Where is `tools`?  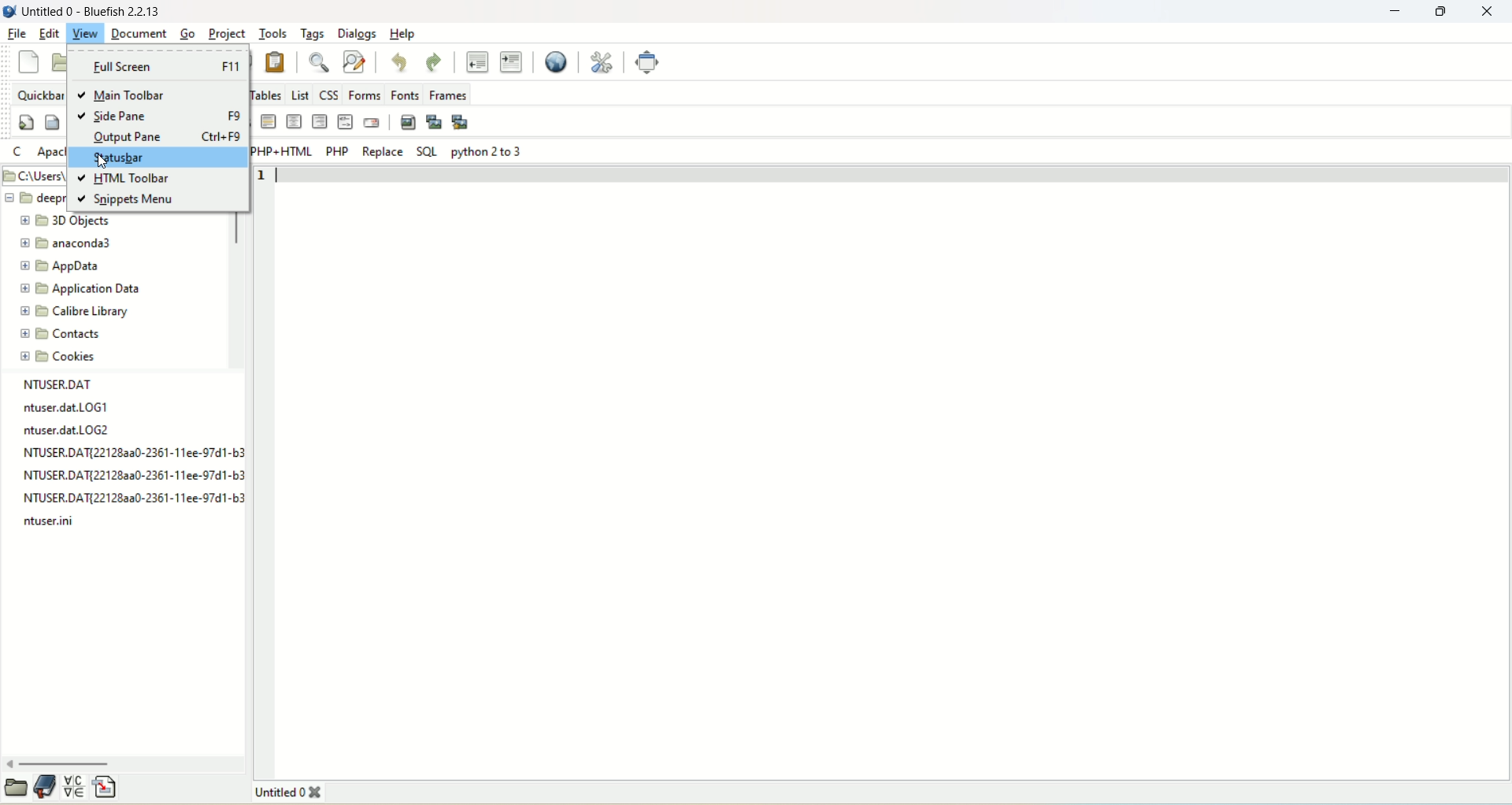
tools is located at coordinates (272, 34).